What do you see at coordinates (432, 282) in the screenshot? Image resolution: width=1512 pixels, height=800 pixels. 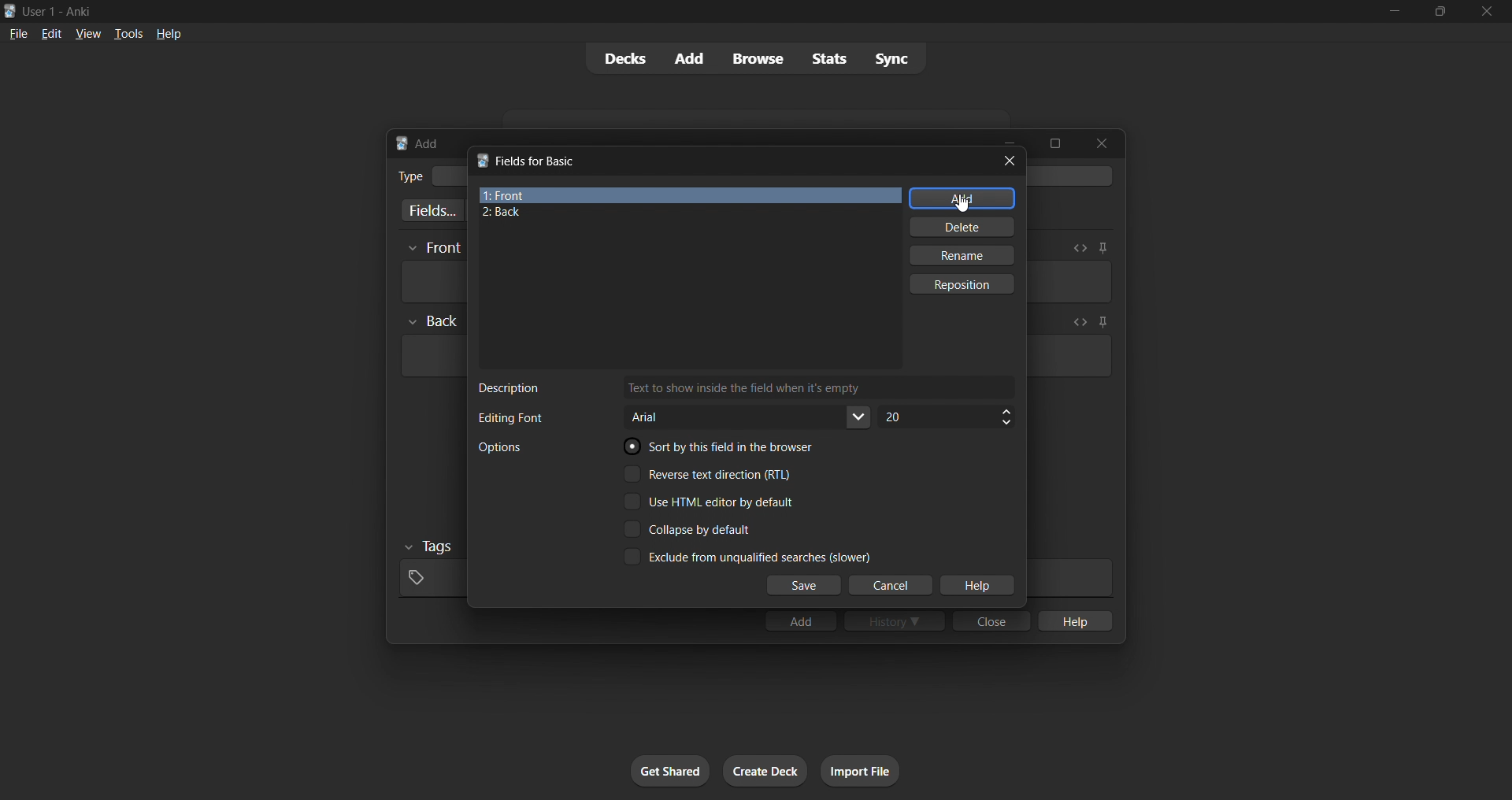 I see `card front input` at bounding box center [432, 282].